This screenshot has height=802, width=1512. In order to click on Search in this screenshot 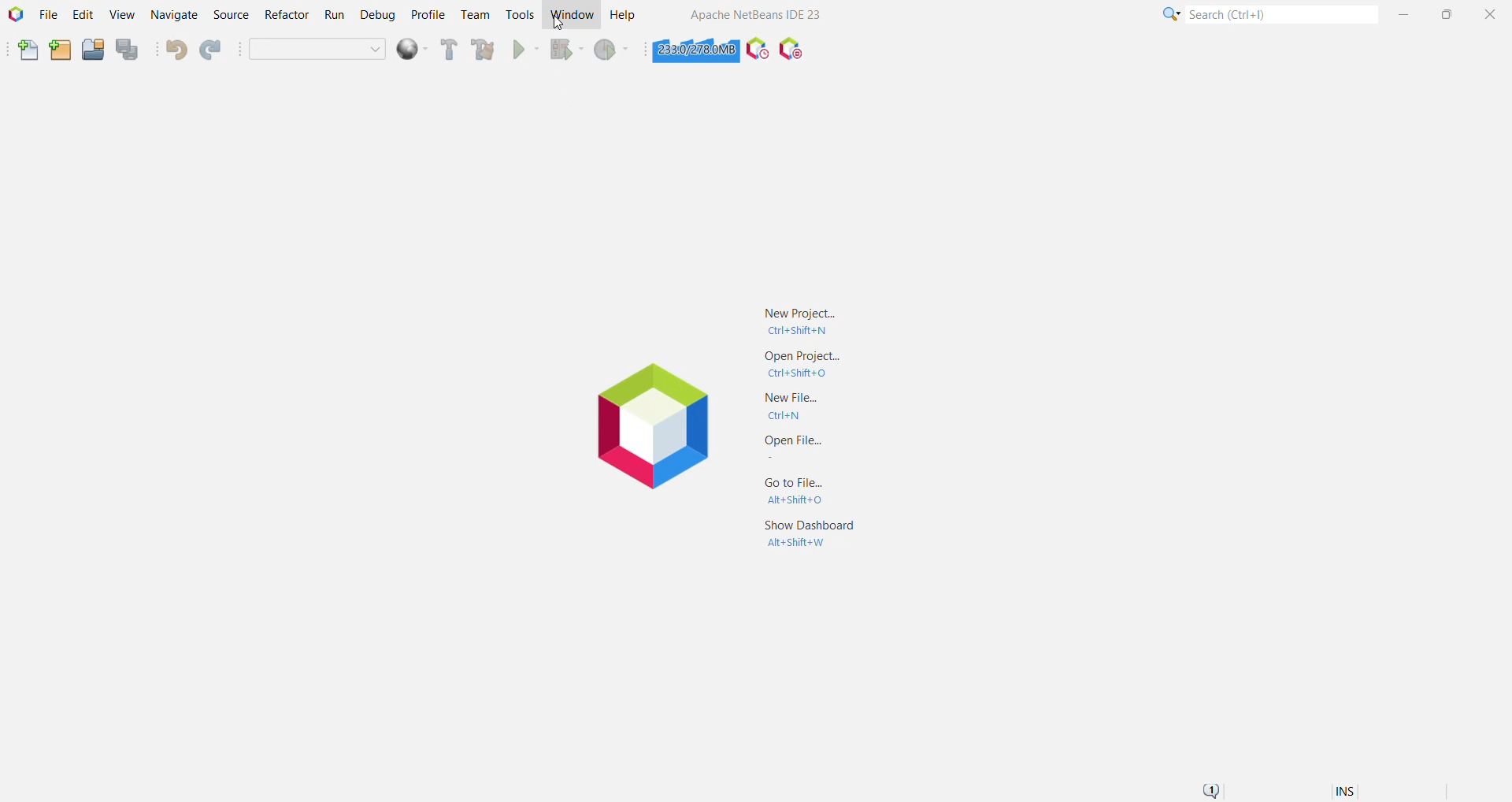, I will do `click(1280, 16)`.